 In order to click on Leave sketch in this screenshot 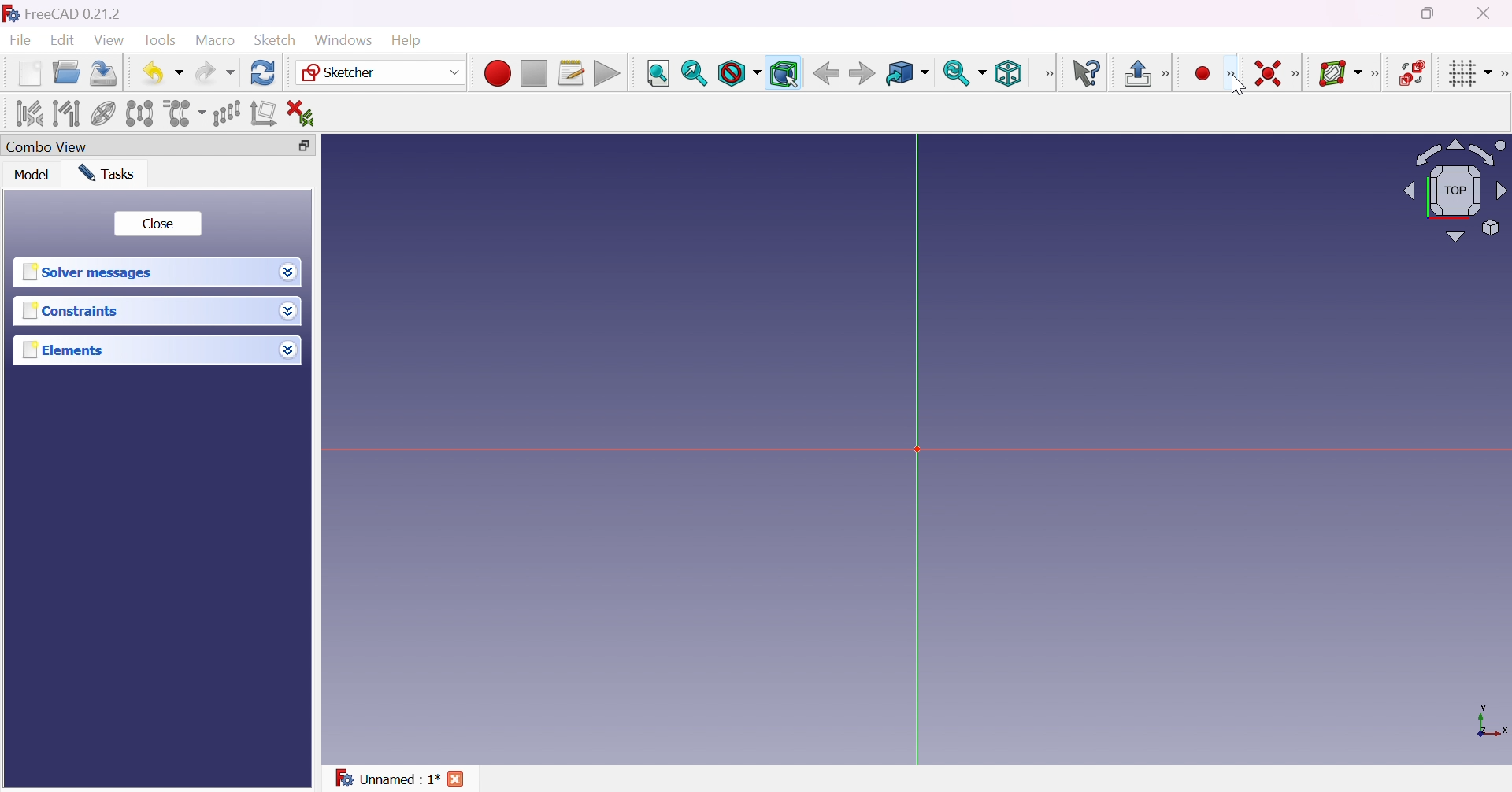, I will do `click(1136, 73)`.